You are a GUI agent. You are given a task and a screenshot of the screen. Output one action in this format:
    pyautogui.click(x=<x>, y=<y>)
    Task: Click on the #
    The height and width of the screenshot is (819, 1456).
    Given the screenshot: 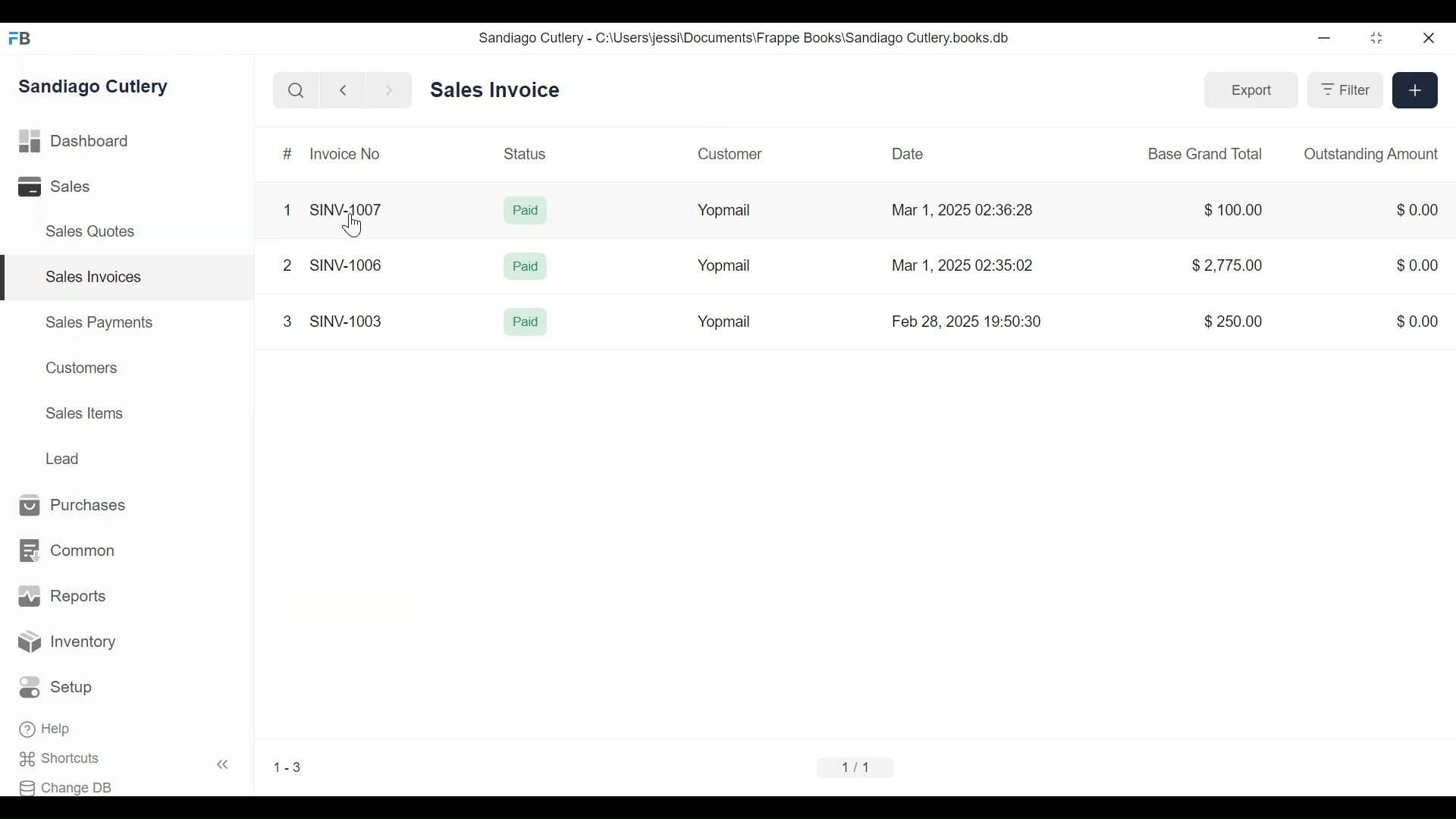 What is the action you would take?
    pyautogui.click(x=287, y=153)
    